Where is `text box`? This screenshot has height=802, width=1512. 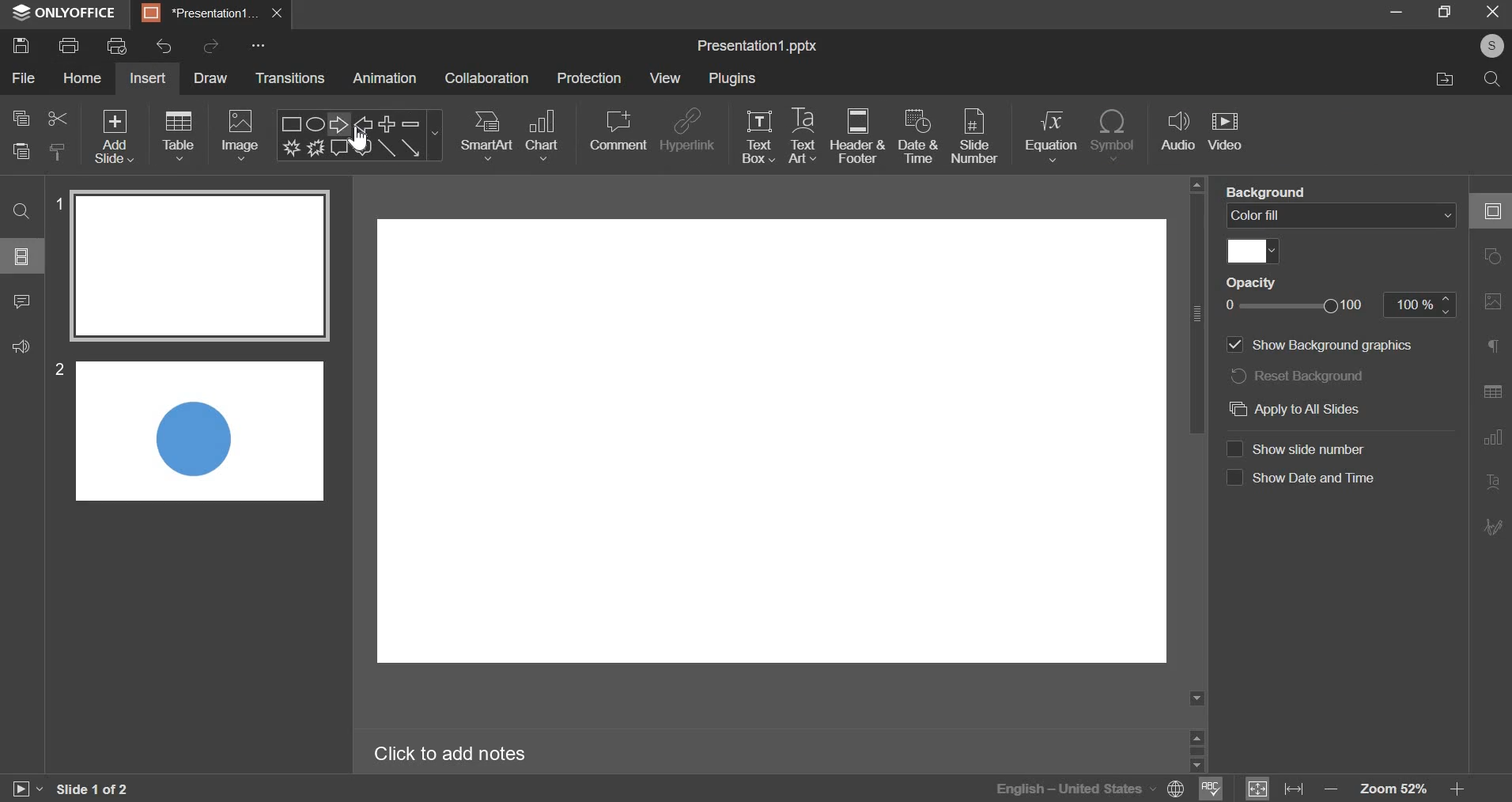 text box is located at coordinates (758, 136).